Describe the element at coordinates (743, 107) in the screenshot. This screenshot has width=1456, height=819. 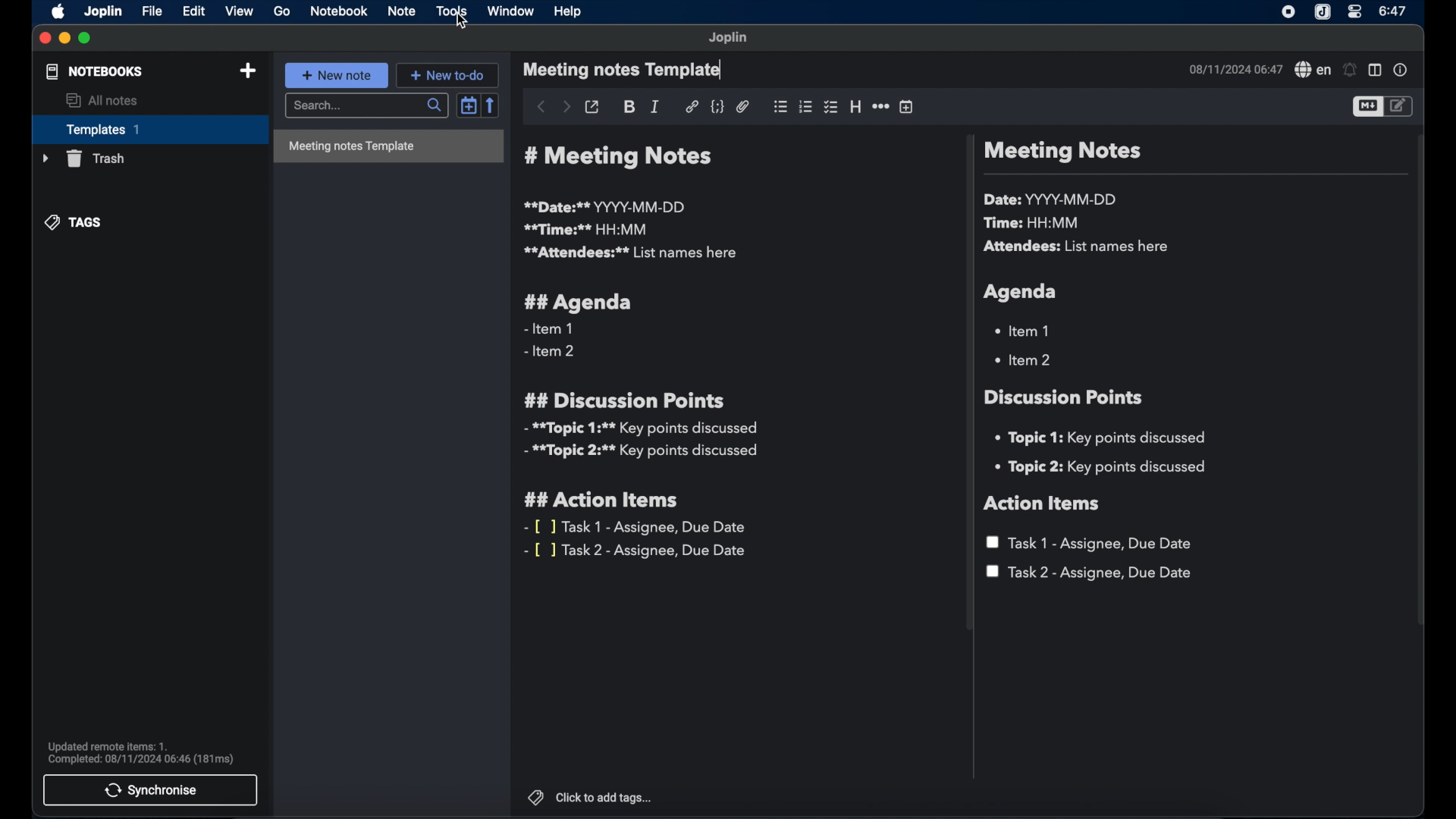
I see `attach file` at that location.